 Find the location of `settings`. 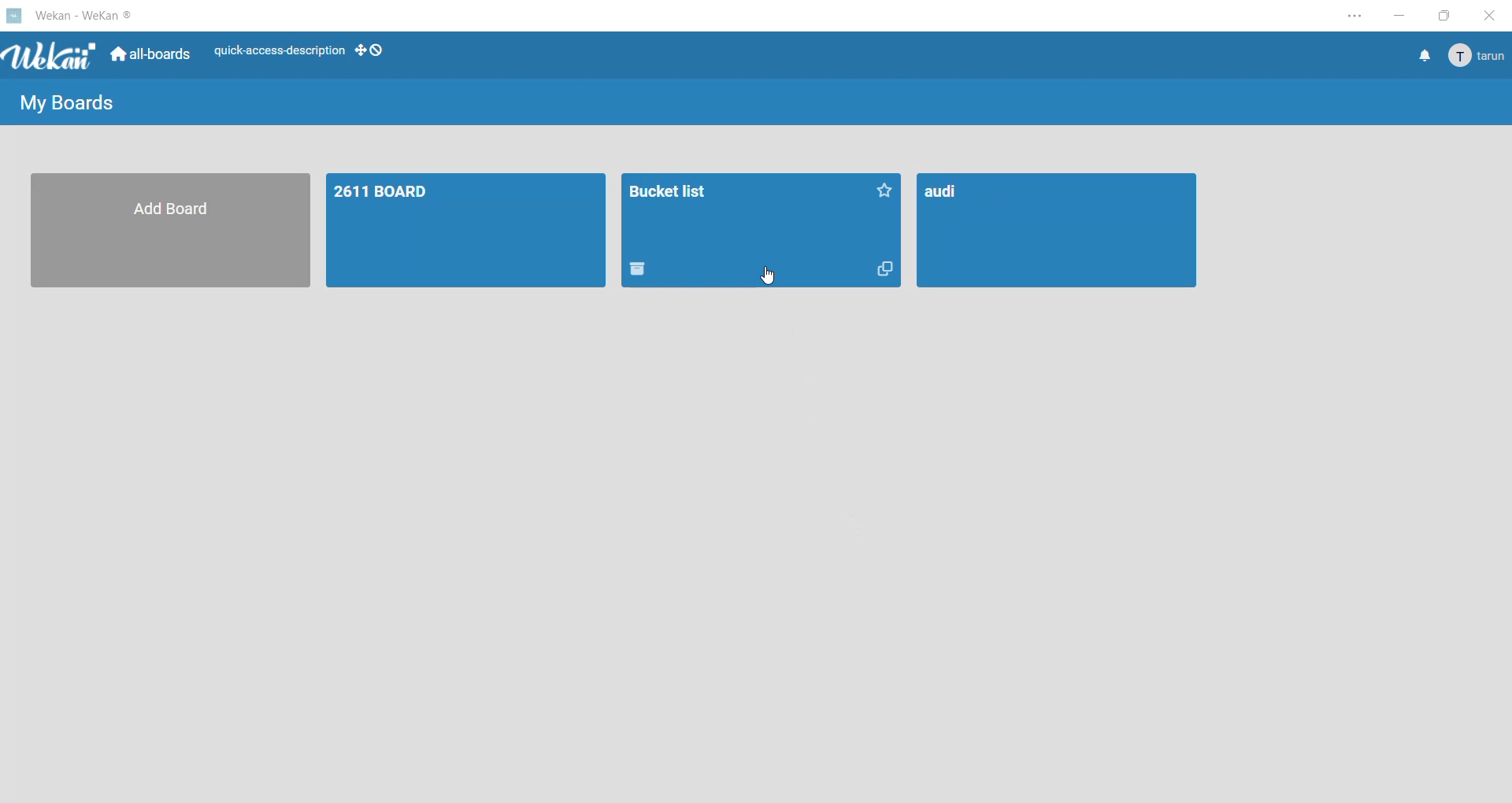

settings is located at coordinates (1346, 16).